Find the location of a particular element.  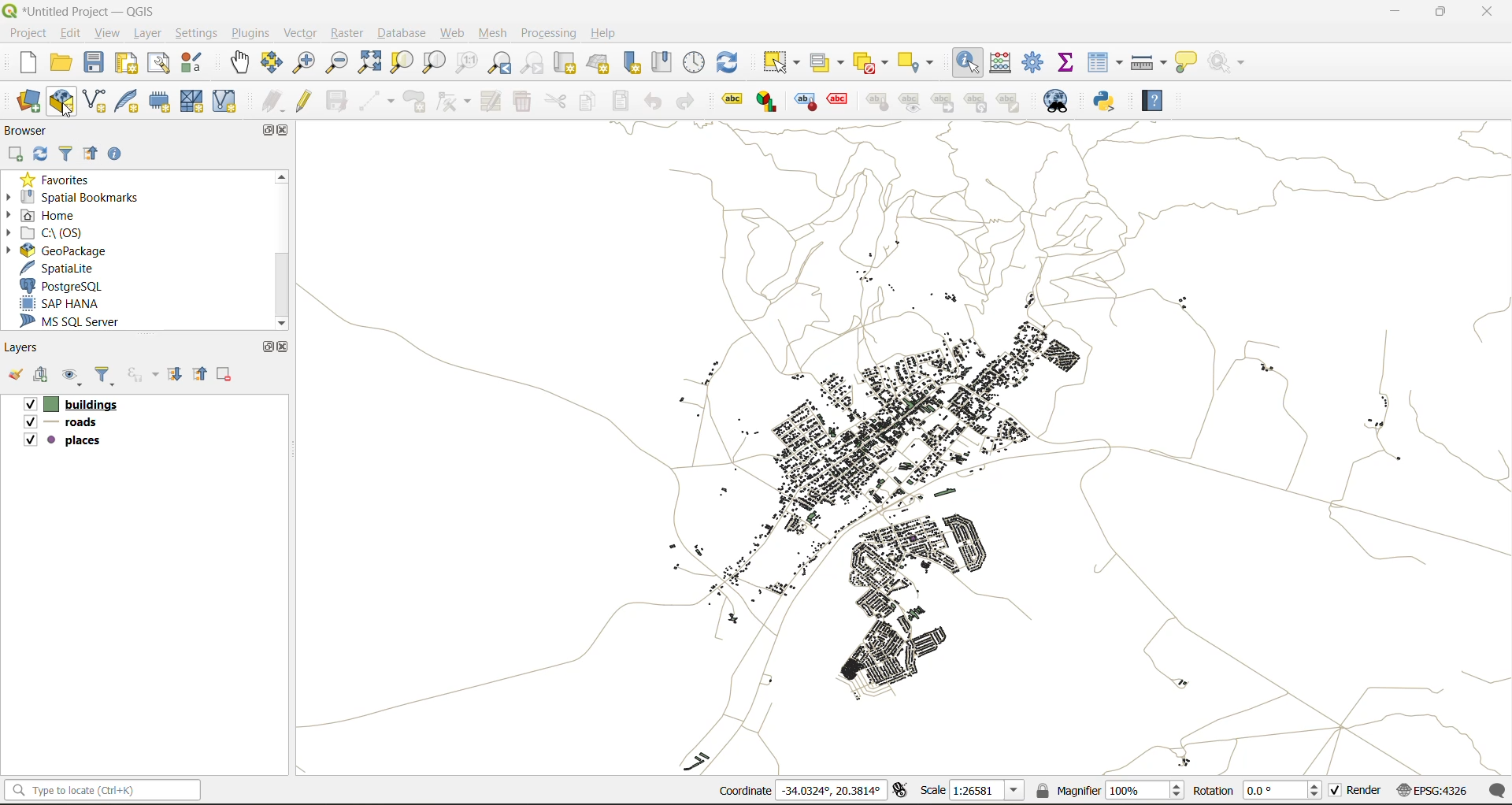

paste is located at coordinates (621, 99).